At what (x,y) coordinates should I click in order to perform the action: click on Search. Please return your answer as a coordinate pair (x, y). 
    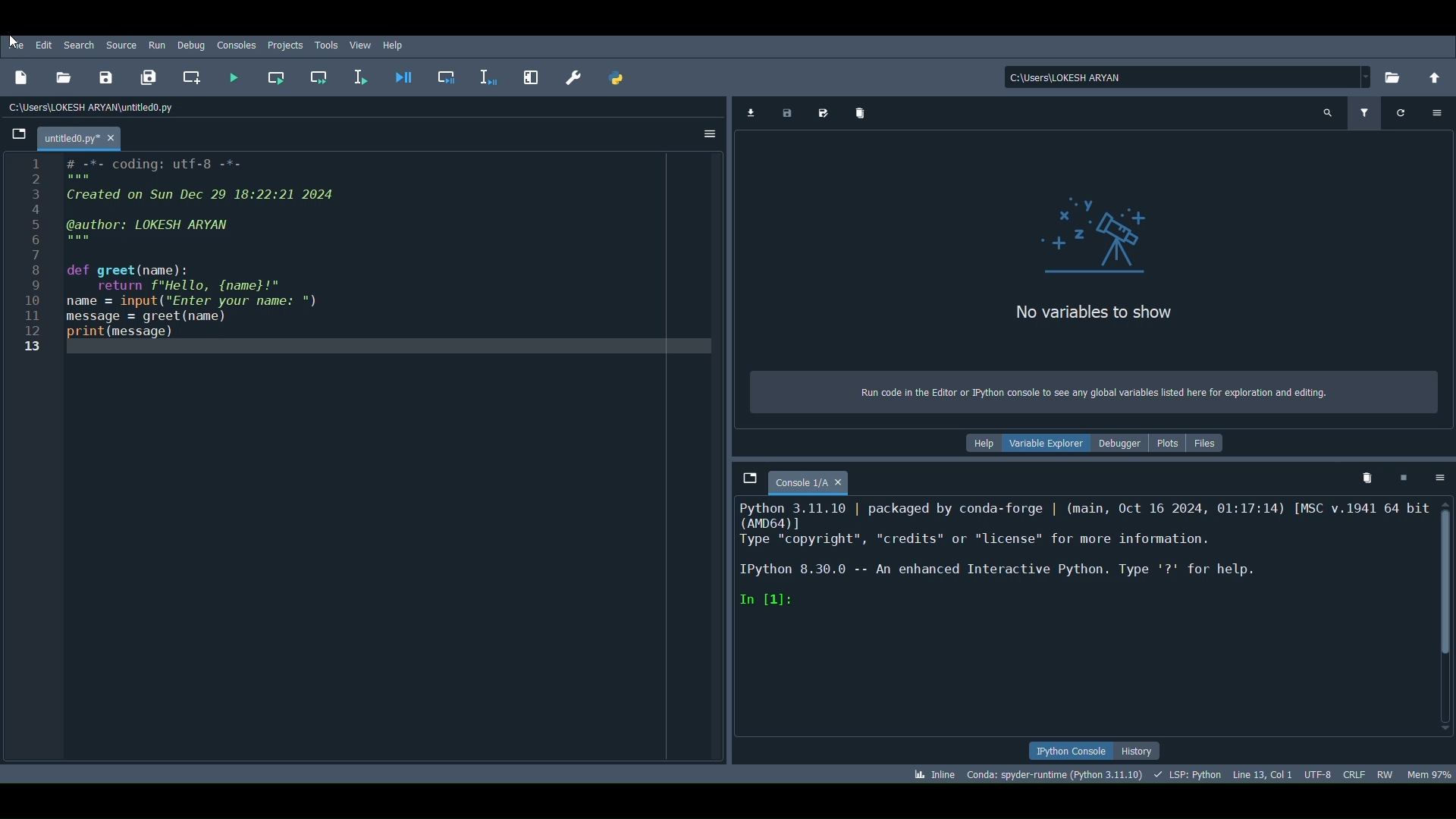
    Looking at the image, I should click on (78, 43).